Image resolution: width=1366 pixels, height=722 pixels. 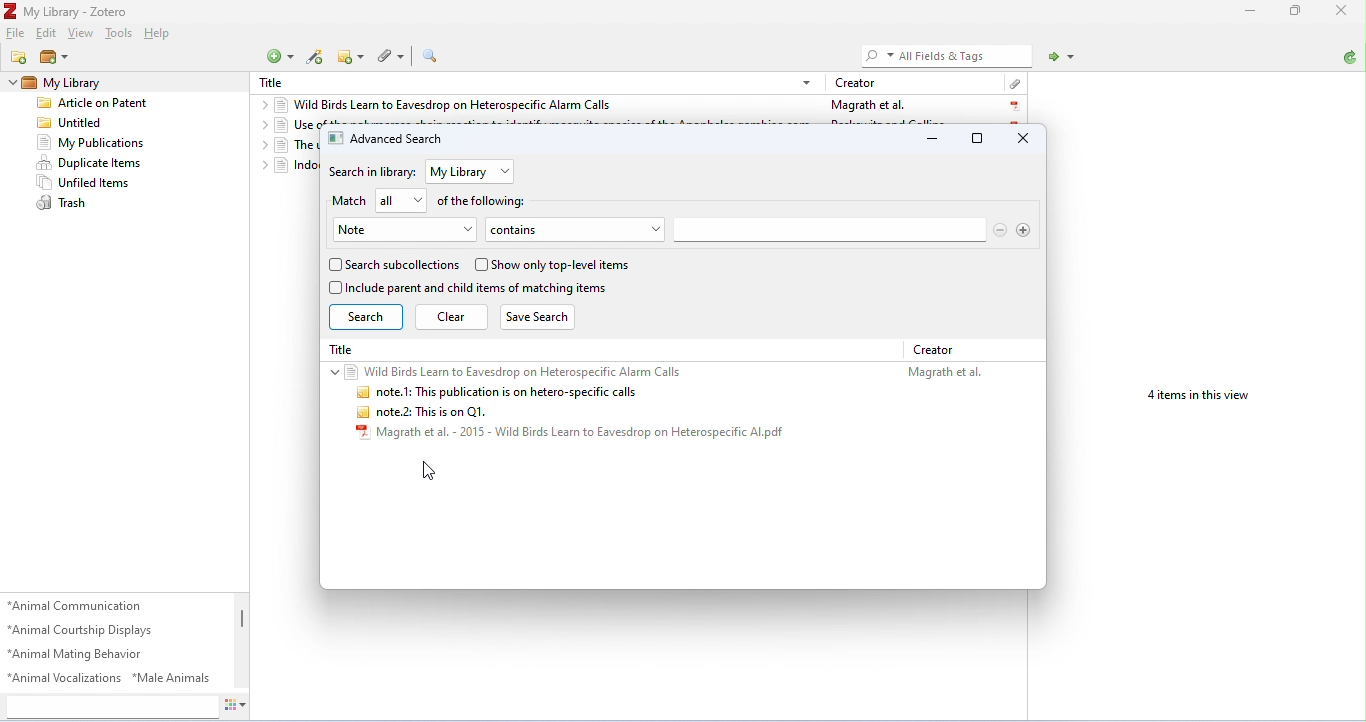 What do you see at coordinates (431, 469) in the screenshot?
I see `cursor` at bounding box center [431, 469].